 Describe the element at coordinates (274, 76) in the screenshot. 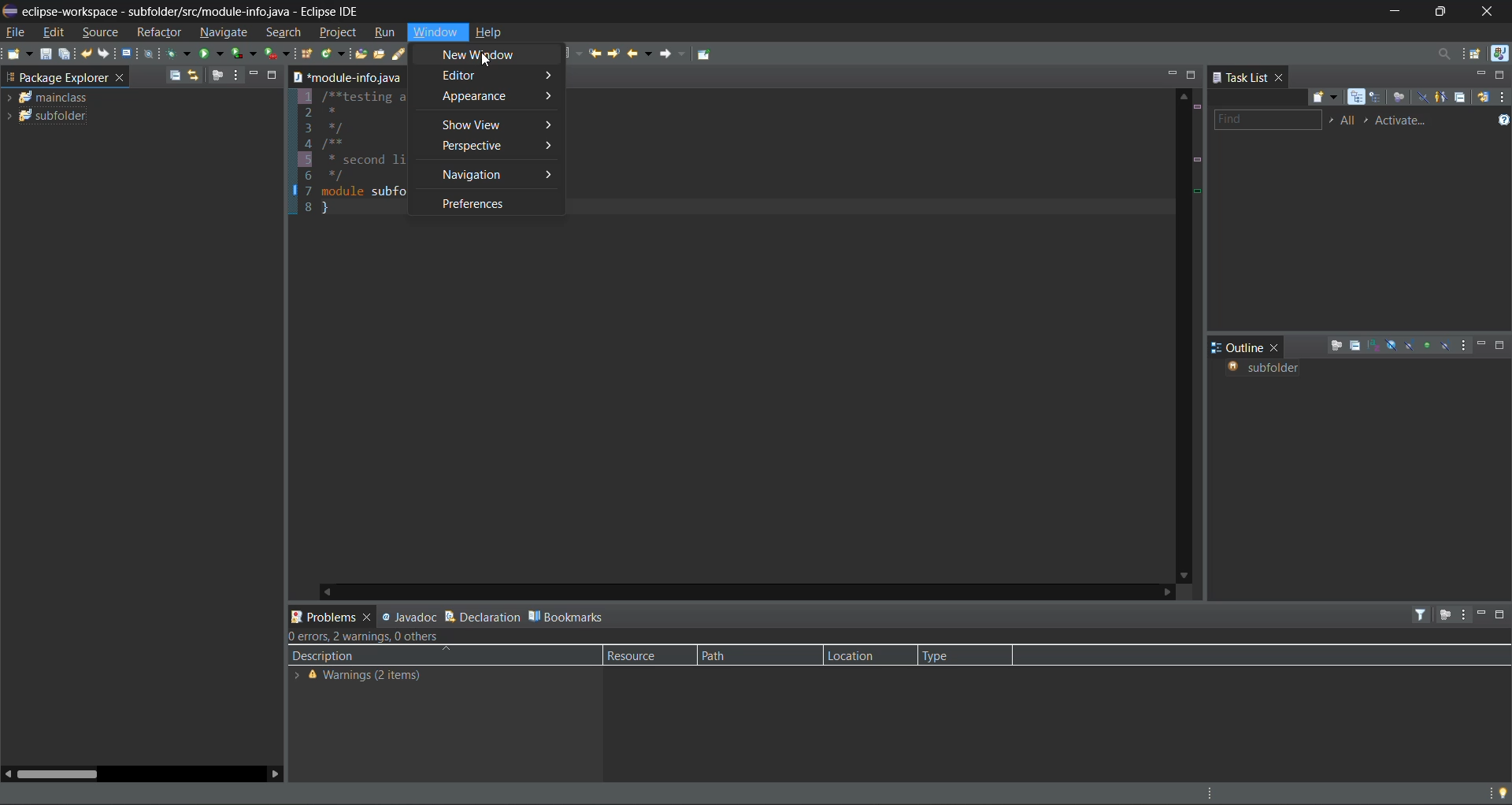

I see `maximize` at that location.